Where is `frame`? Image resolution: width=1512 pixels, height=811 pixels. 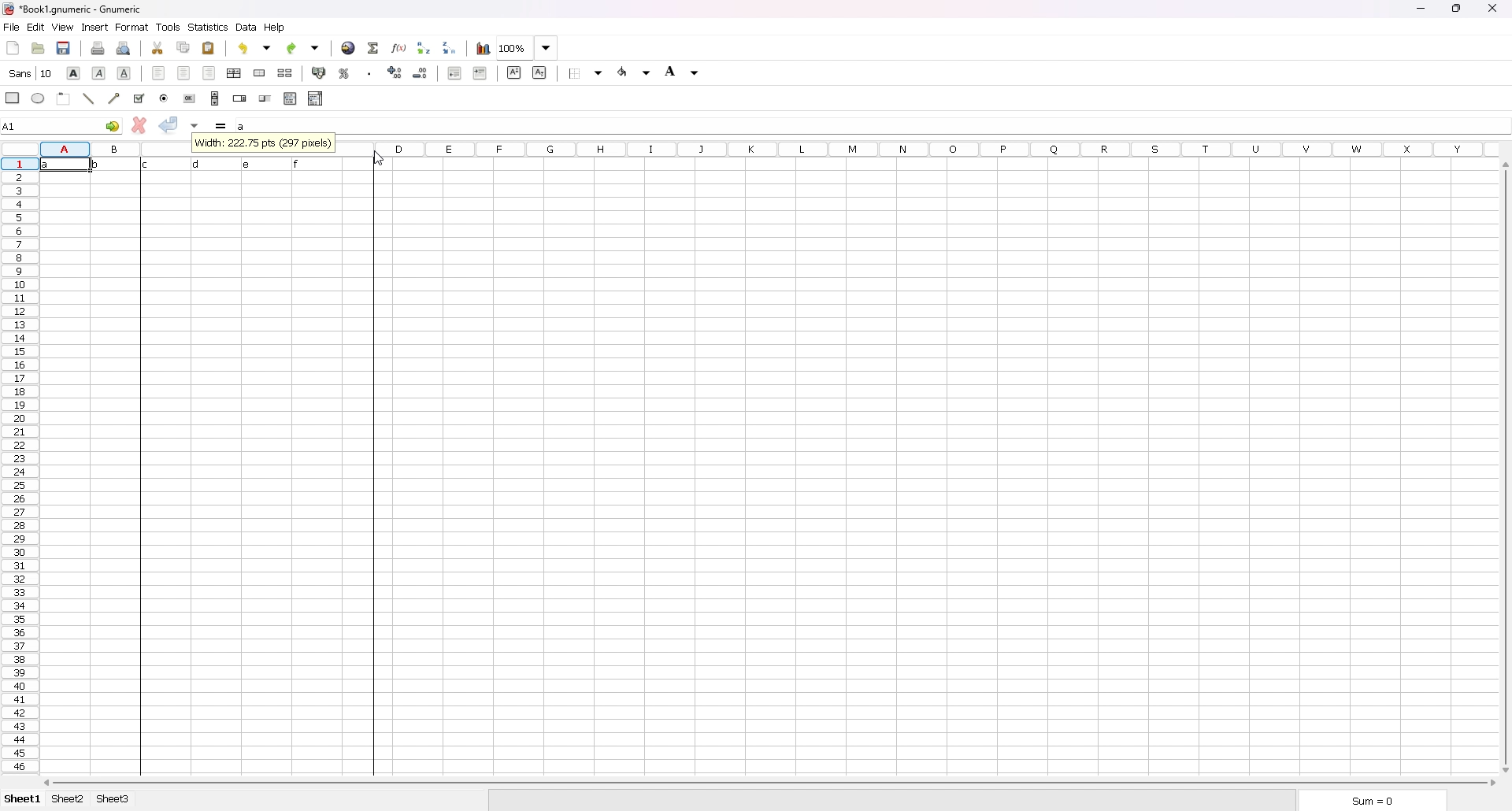 frame is located at coordinates (65, 97).